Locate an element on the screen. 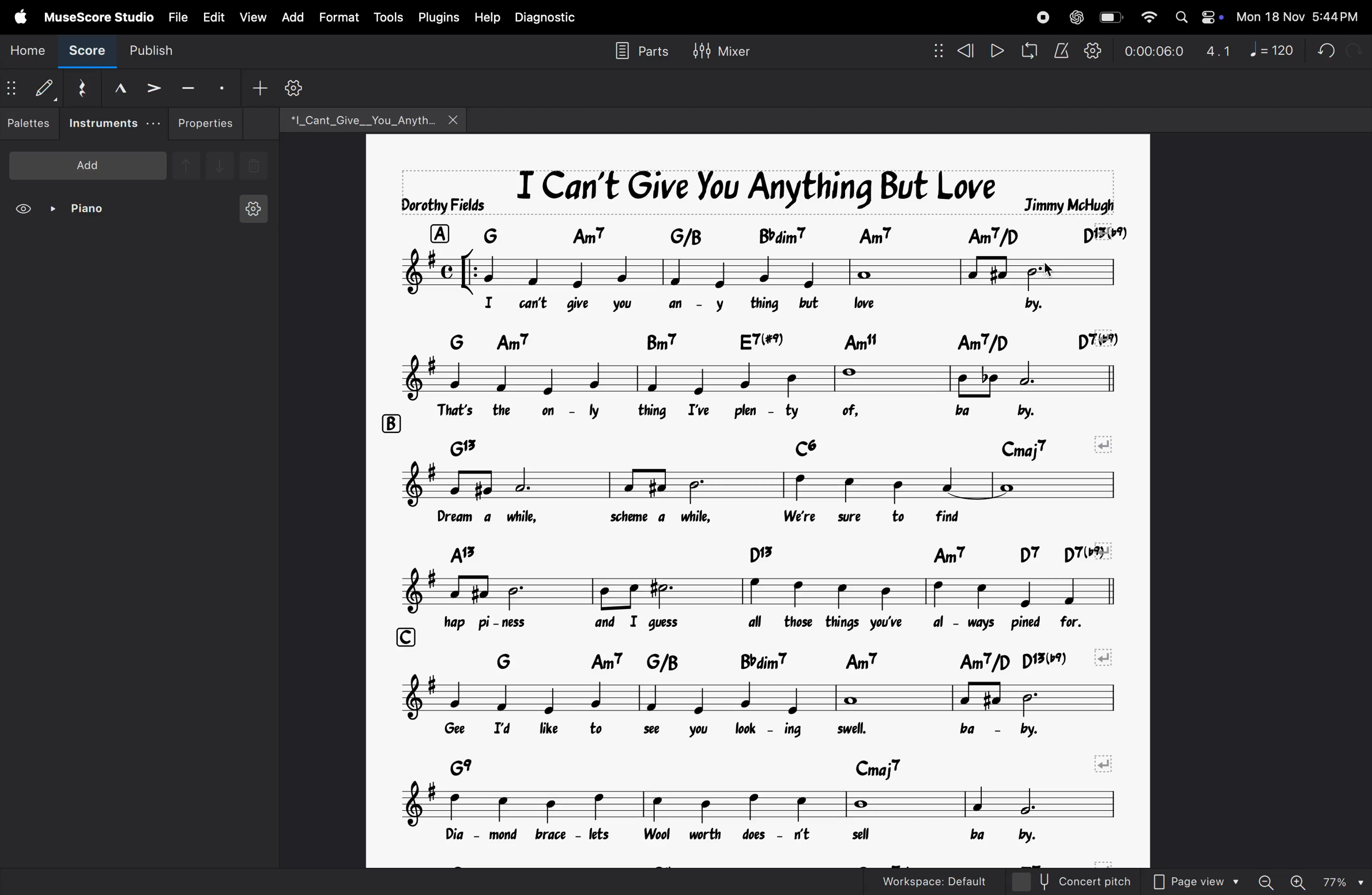 The height and width of the screenshot is (895, 1372). loopback is located at coordinates (1028, 50).